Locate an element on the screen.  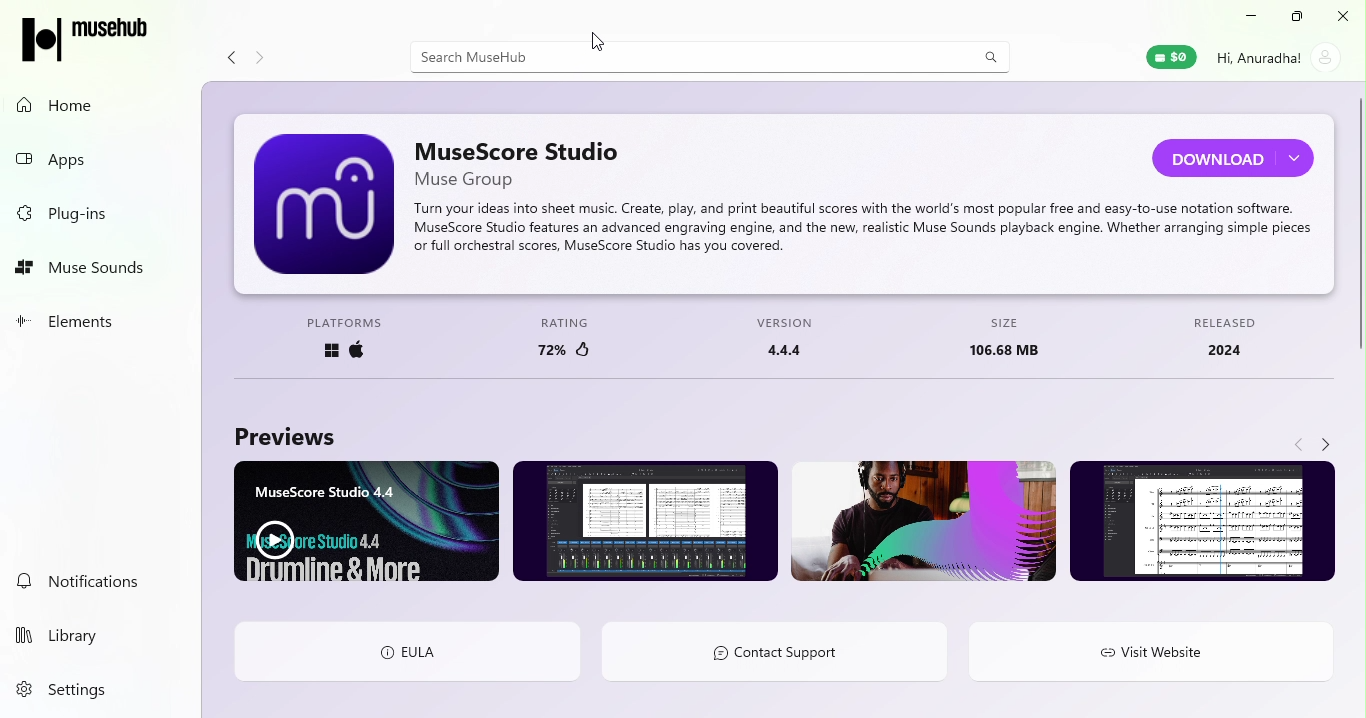
Search bar is located at coordinates (710, 55).